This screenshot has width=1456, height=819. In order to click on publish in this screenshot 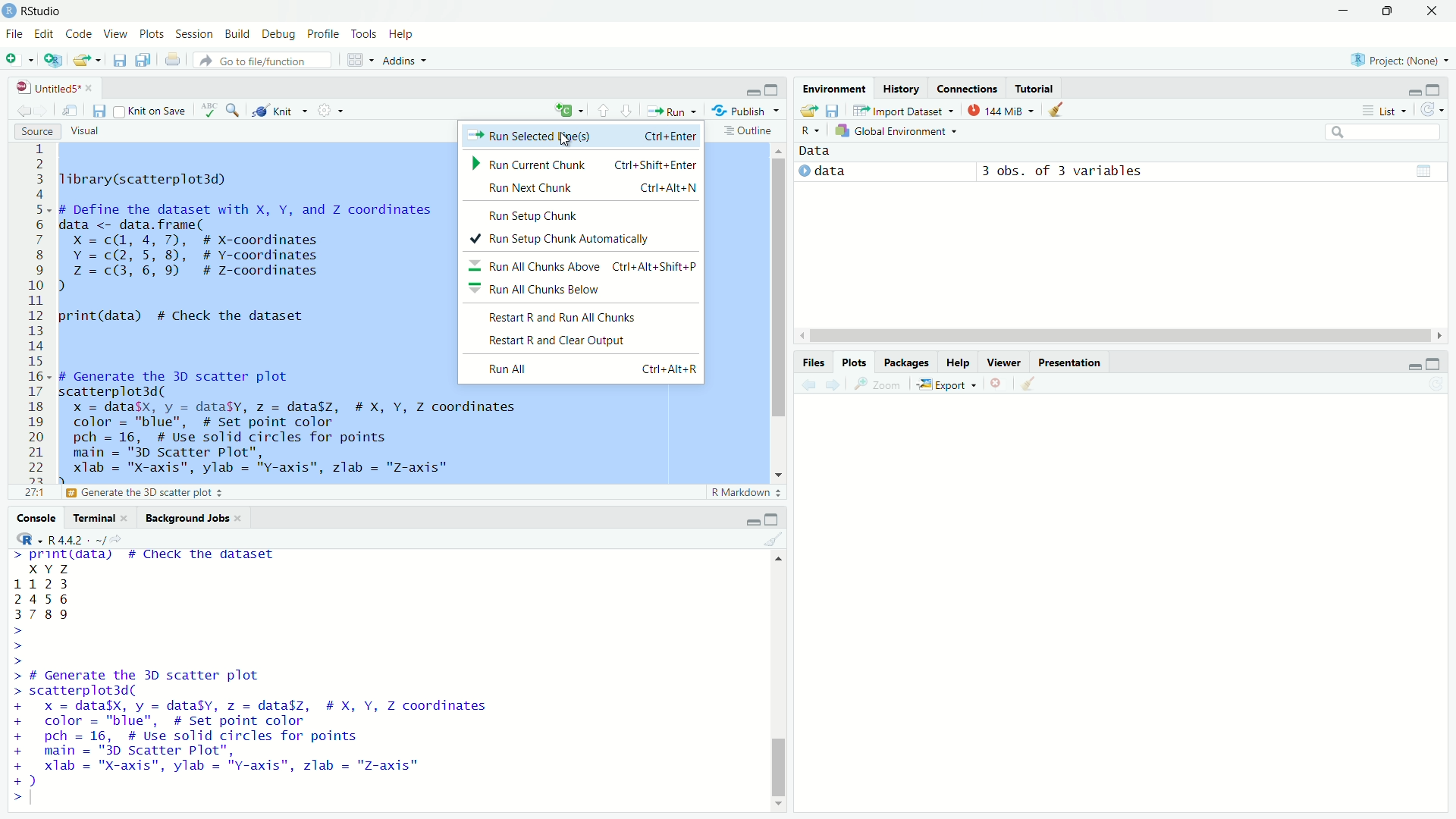, I will do `click(748, 110)`.